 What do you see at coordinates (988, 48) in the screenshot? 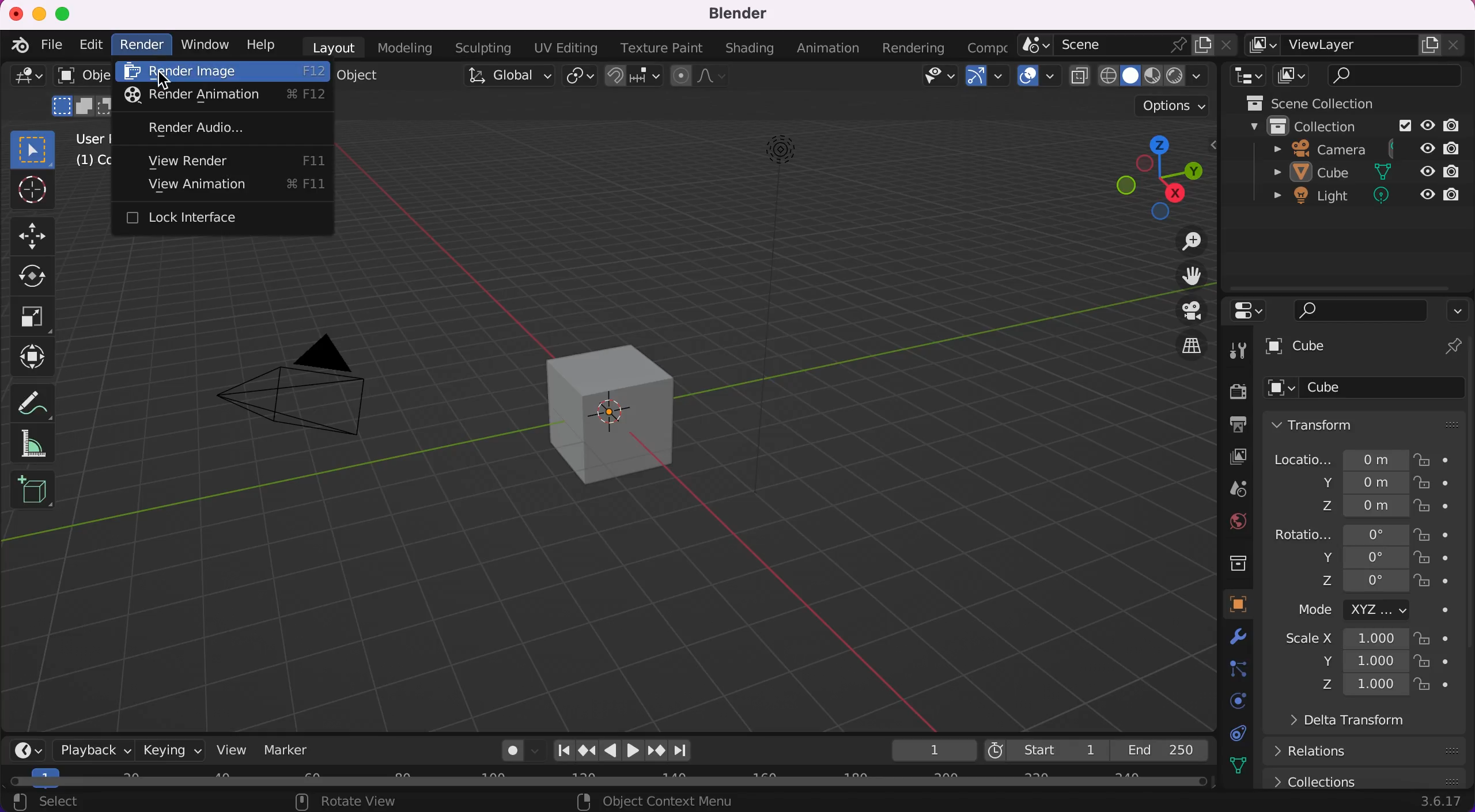
I see `active workspace` at bounding box center [988, 48].